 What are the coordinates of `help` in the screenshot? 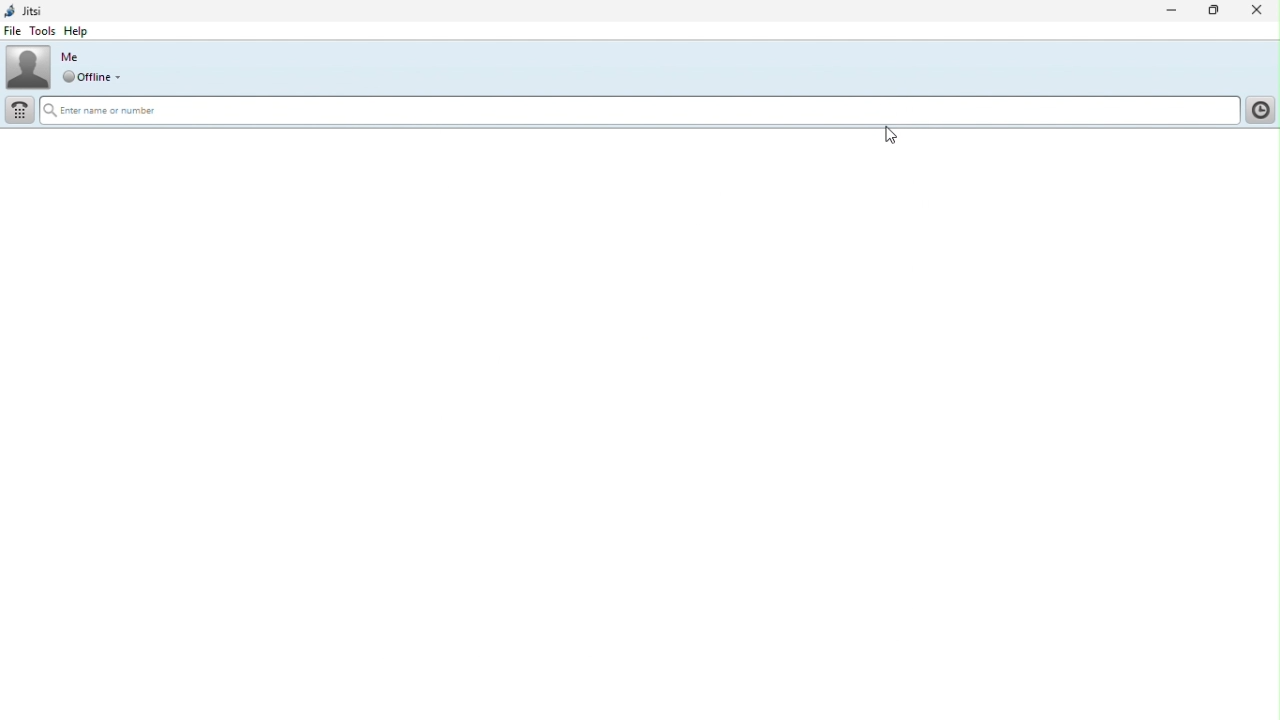 It's located at (80, 31).